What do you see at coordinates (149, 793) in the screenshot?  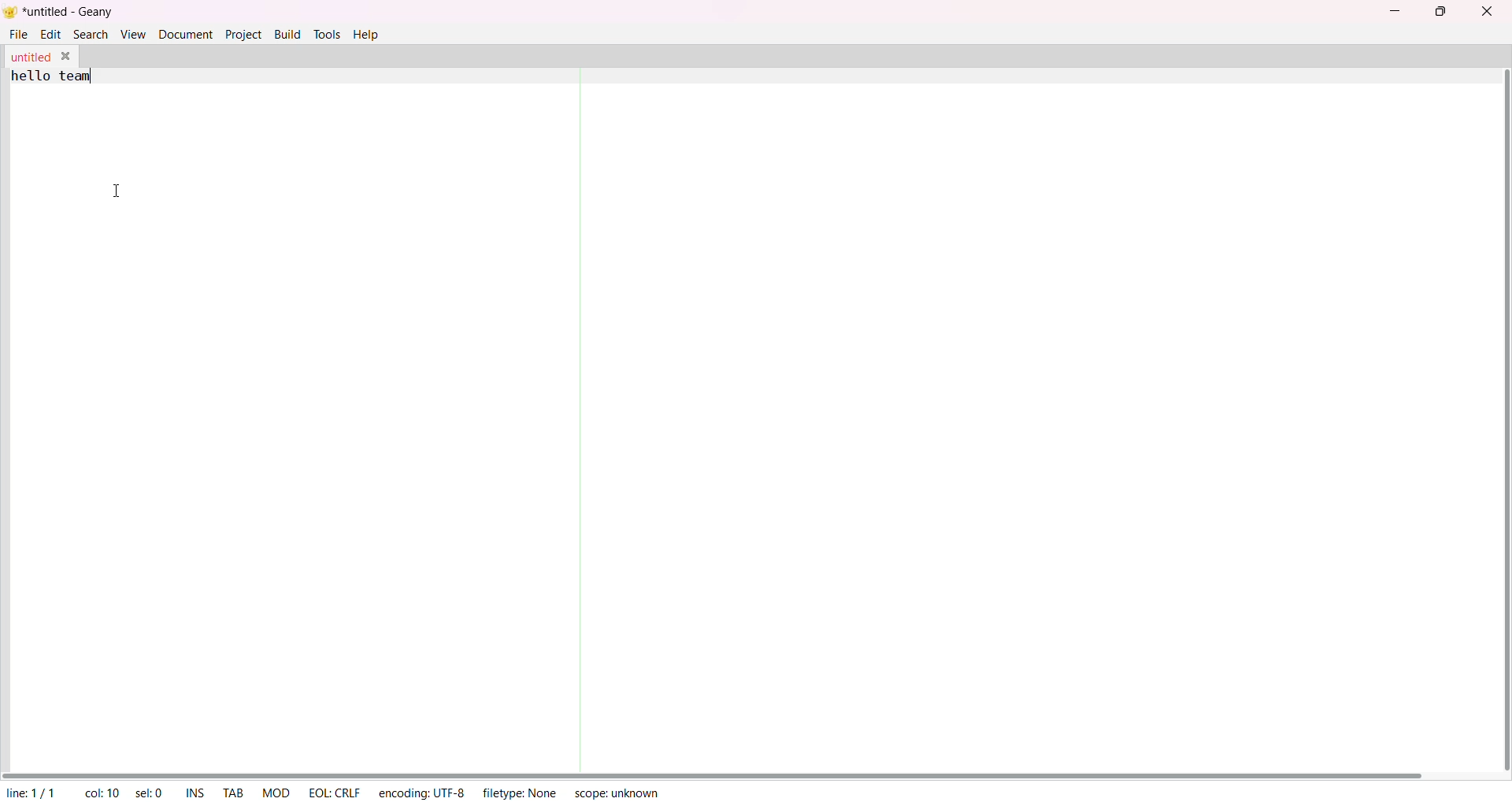 I see `sel: 0` at bounding box center [149, 793].